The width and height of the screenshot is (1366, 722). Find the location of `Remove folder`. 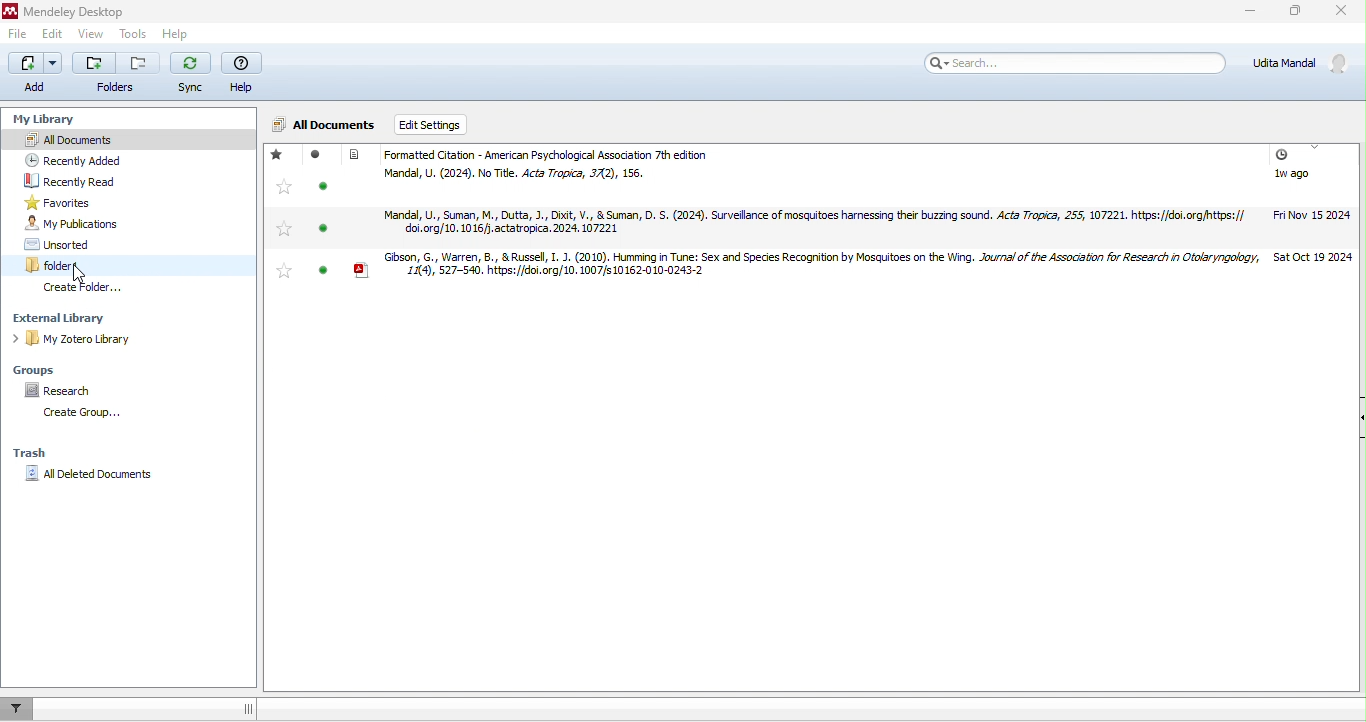

Remove folder is located at coordinates (139, 64).